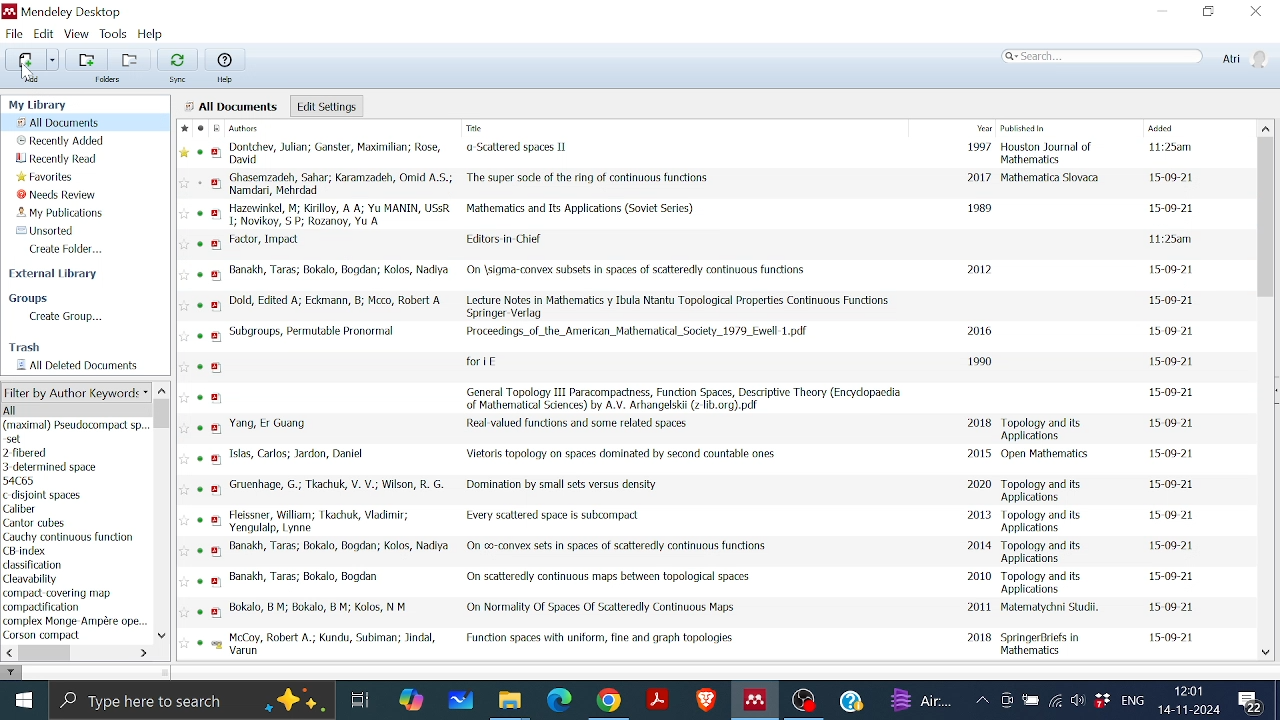  What do you see at coordinates (1164, 127) in the screenshot?
I see `Added` at bounding box center [1164, 127].